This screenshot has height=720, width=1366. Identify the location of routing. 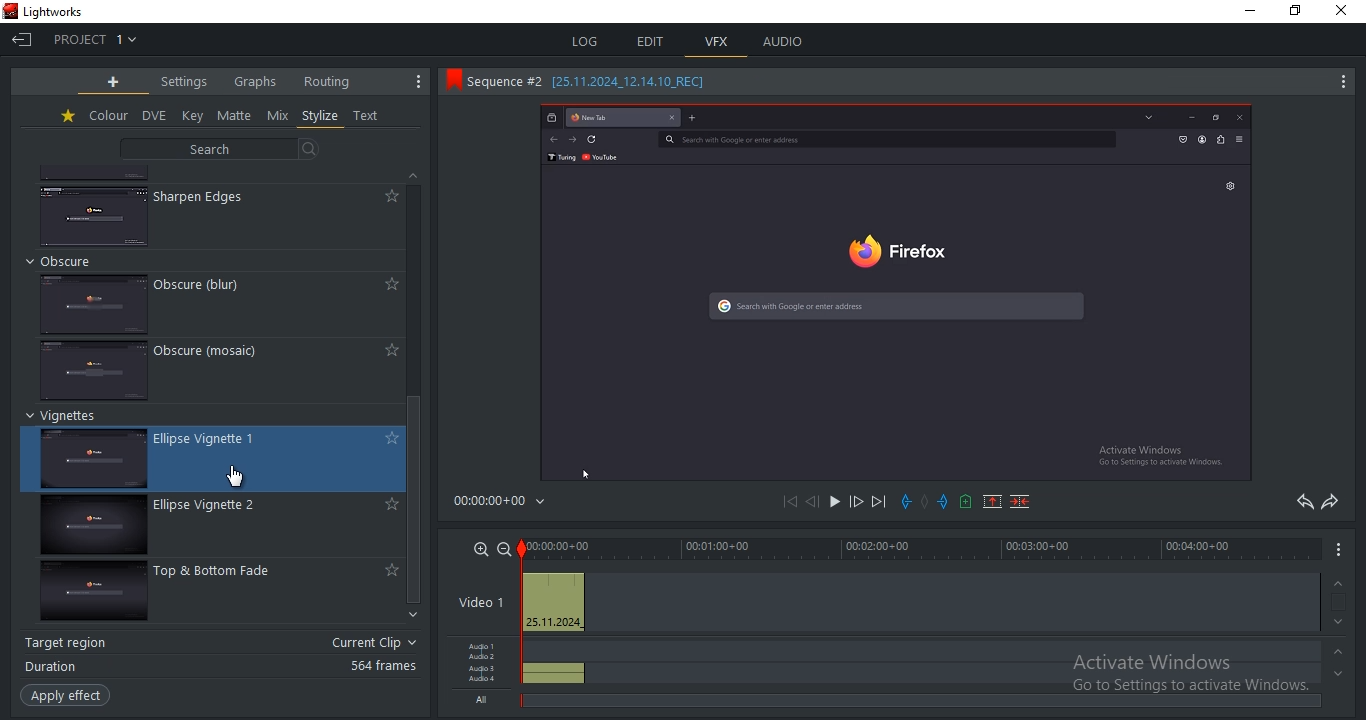
(328, 81).